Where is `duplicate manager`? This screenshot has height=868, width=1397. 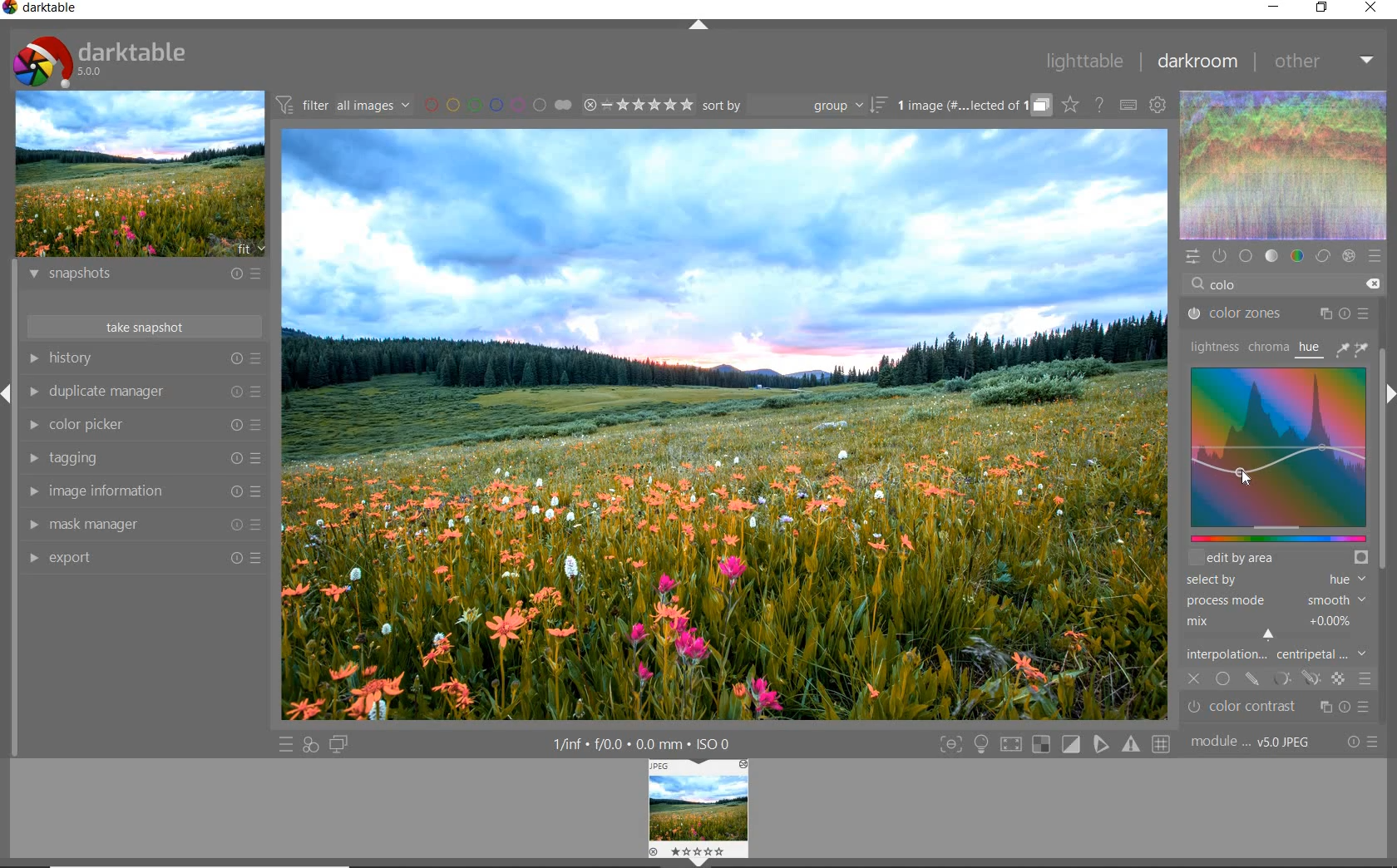 duplicate manager is located at coordinates (147, 393).